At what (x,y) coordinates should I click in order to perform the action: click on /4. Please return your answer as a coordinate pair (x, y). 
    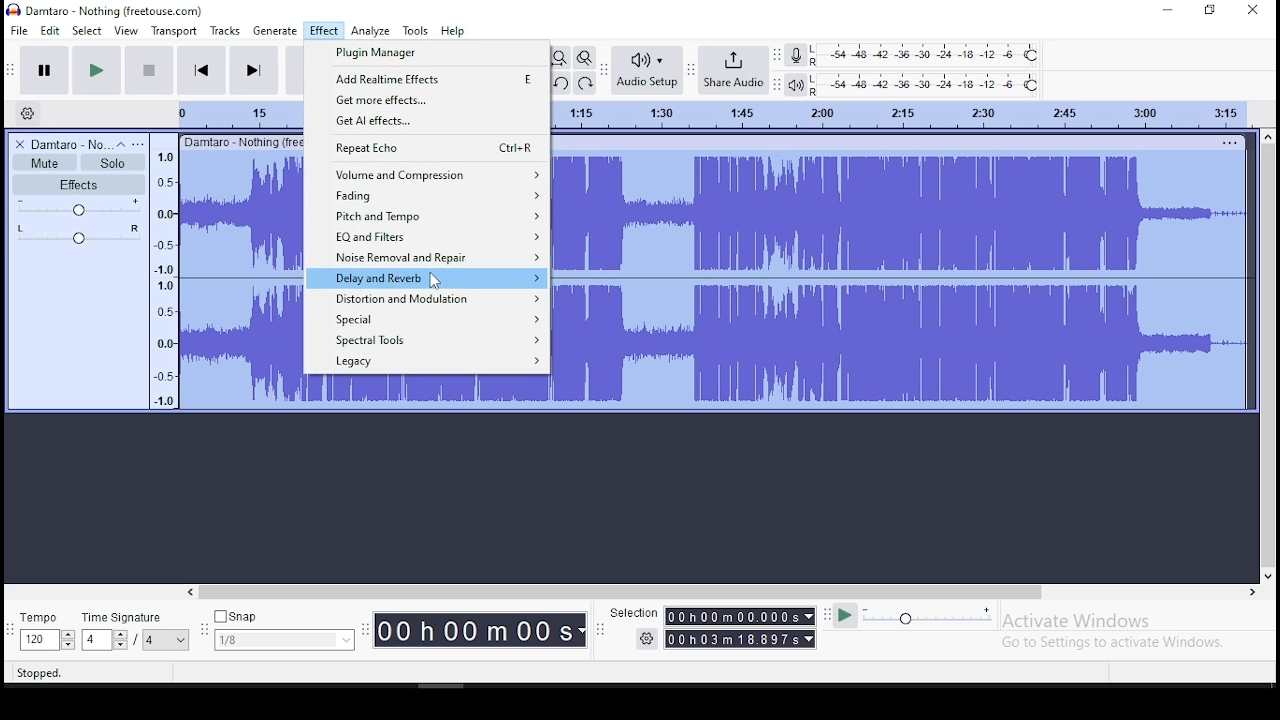
    Looking at the image, I should click on (147, 641).